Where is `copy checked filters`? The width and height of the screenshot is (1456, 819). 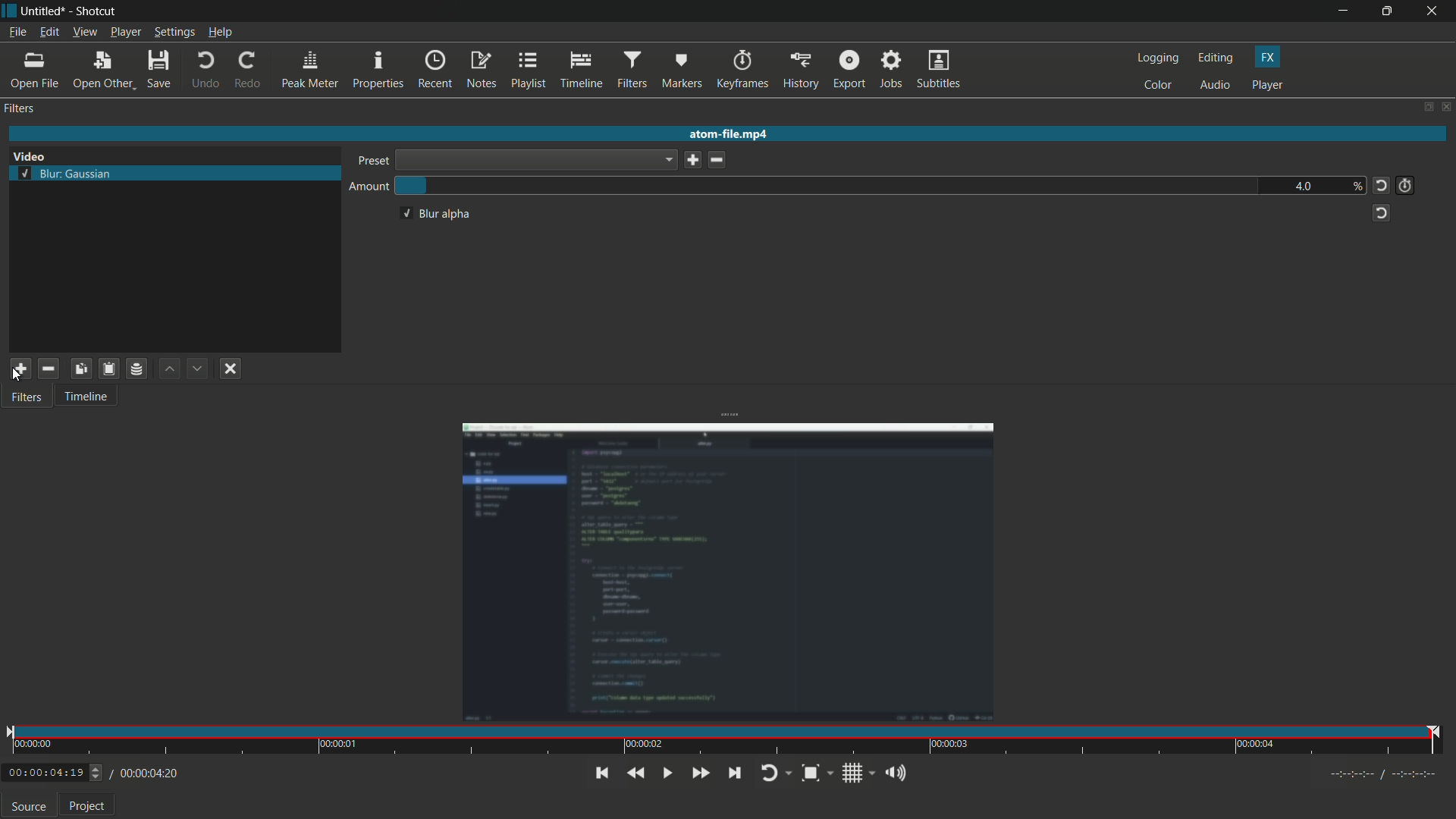
copy checked filters is located at coordinates (83, 368).